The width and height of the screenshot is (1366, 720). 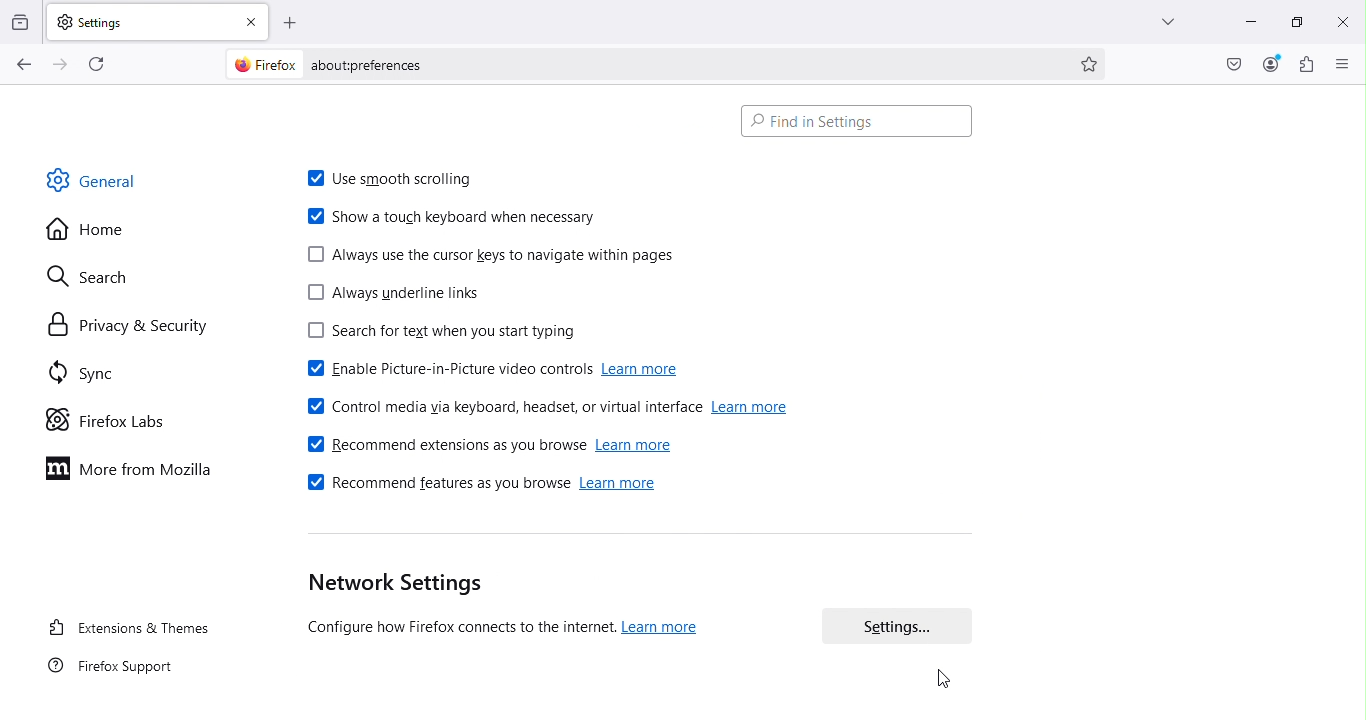 I want to click on View recent browsing across windows and devices, so click(x=21, y=18).